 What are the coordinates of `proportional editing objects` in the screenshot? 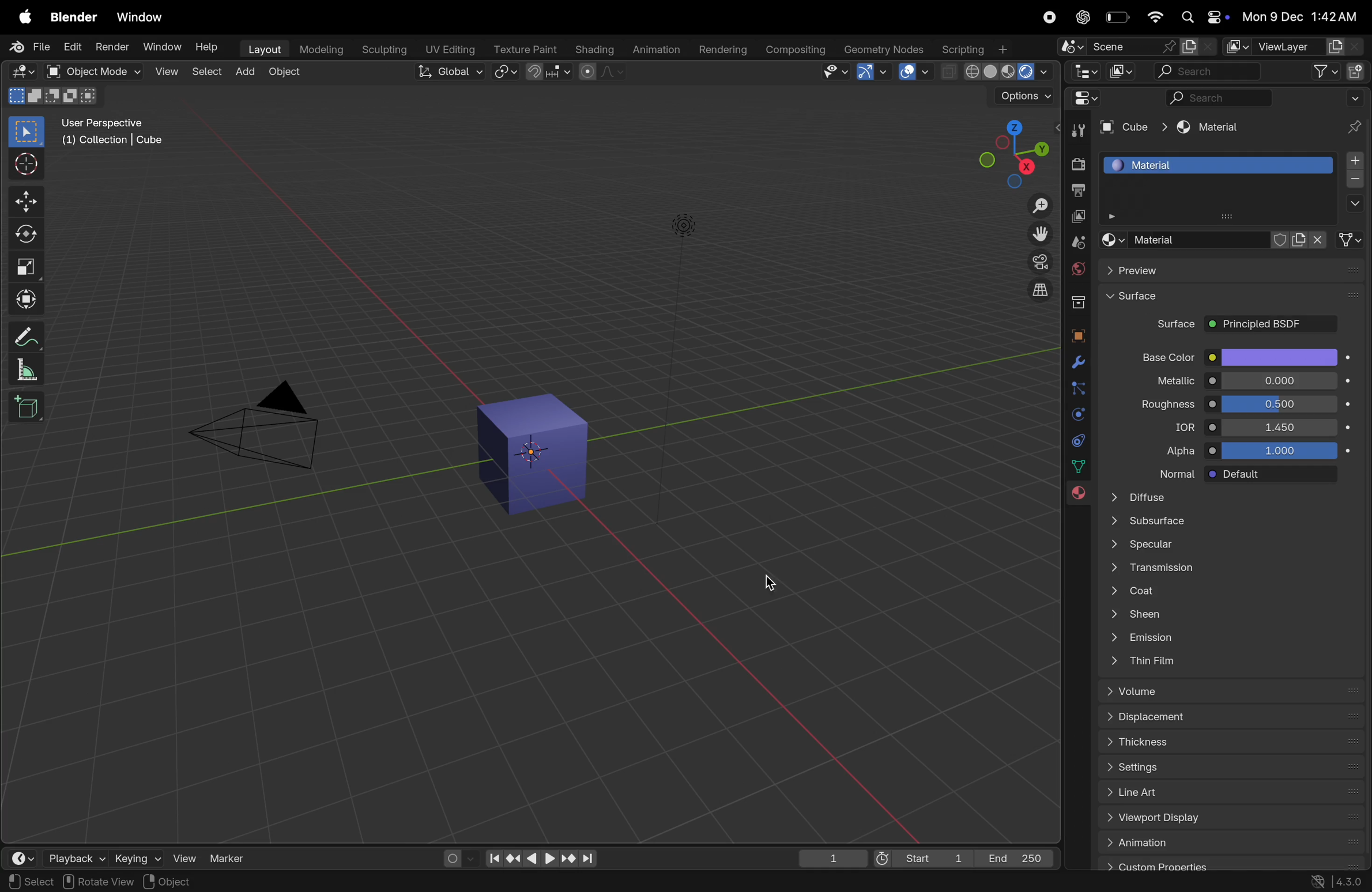 It's located at (601, 71).